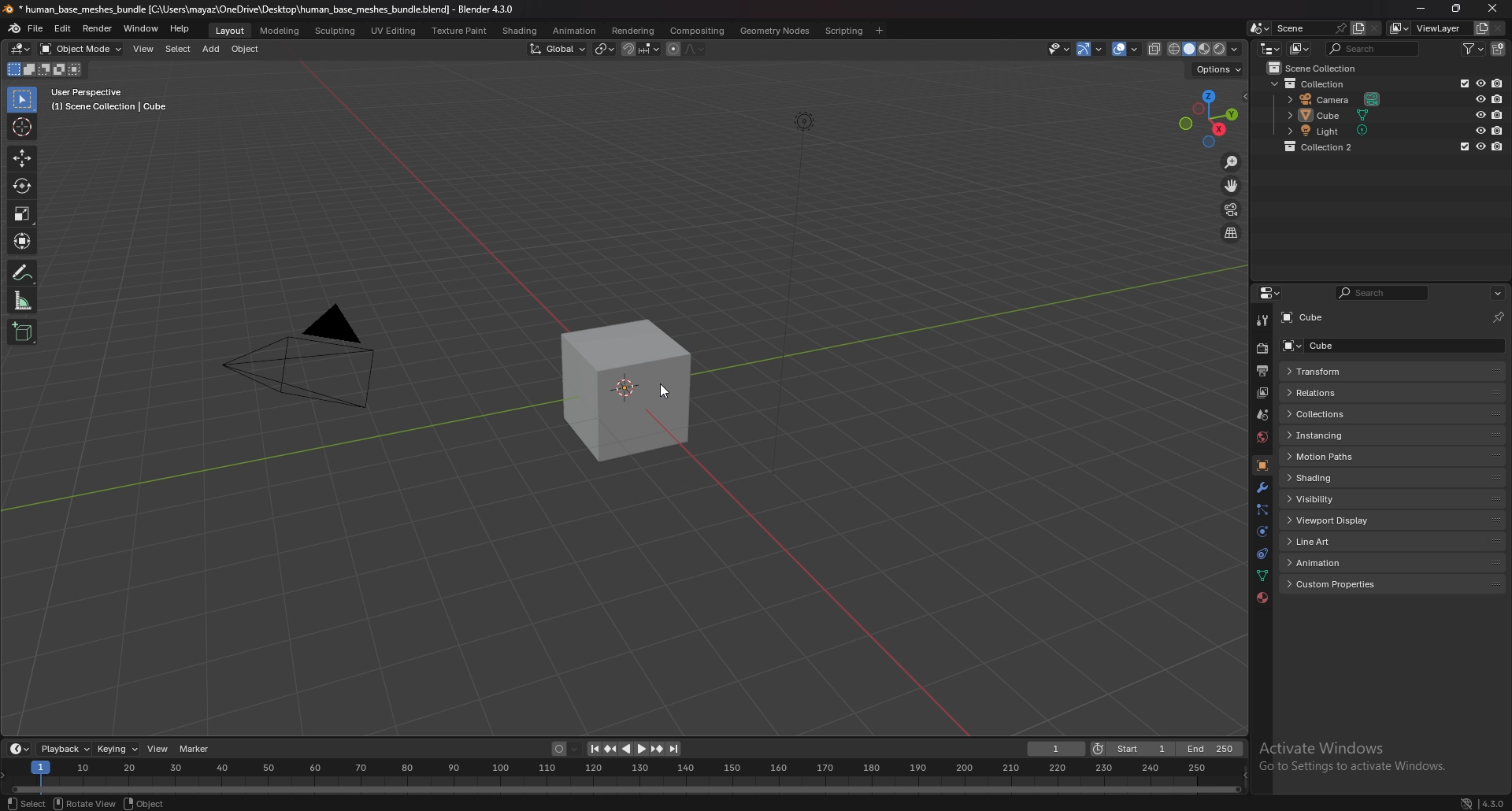 This screenshot has width=1512, height=811. Describe the element at coordinates (24, 239) in the screenshot. I see `transform` at that location.